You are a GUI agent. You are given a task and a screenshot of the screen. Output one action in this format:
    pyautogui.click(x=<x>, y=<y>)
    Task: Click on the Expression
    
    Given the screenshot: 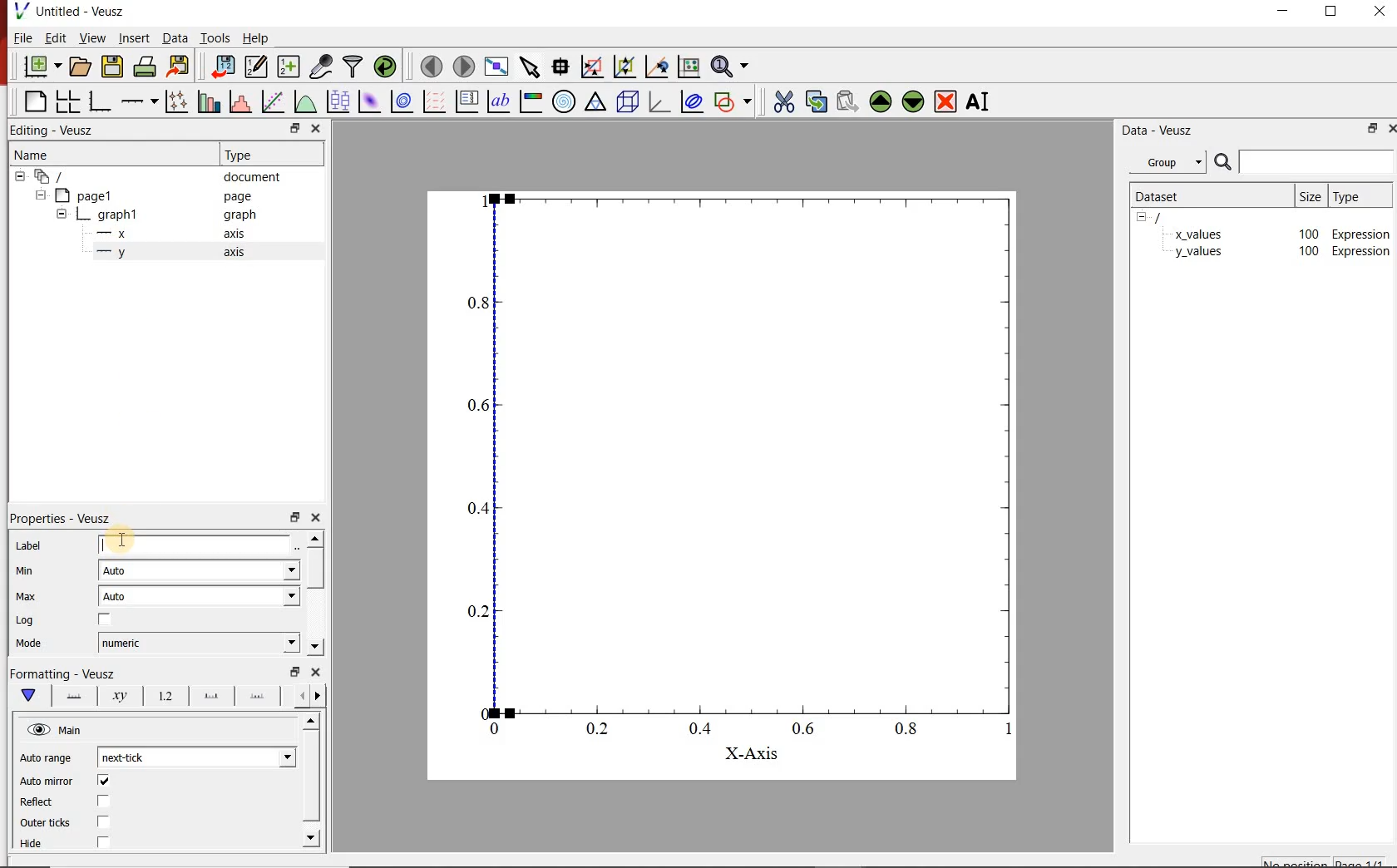 What is the action you would take?
    pyautogui.click(x=1362, y=232)
    